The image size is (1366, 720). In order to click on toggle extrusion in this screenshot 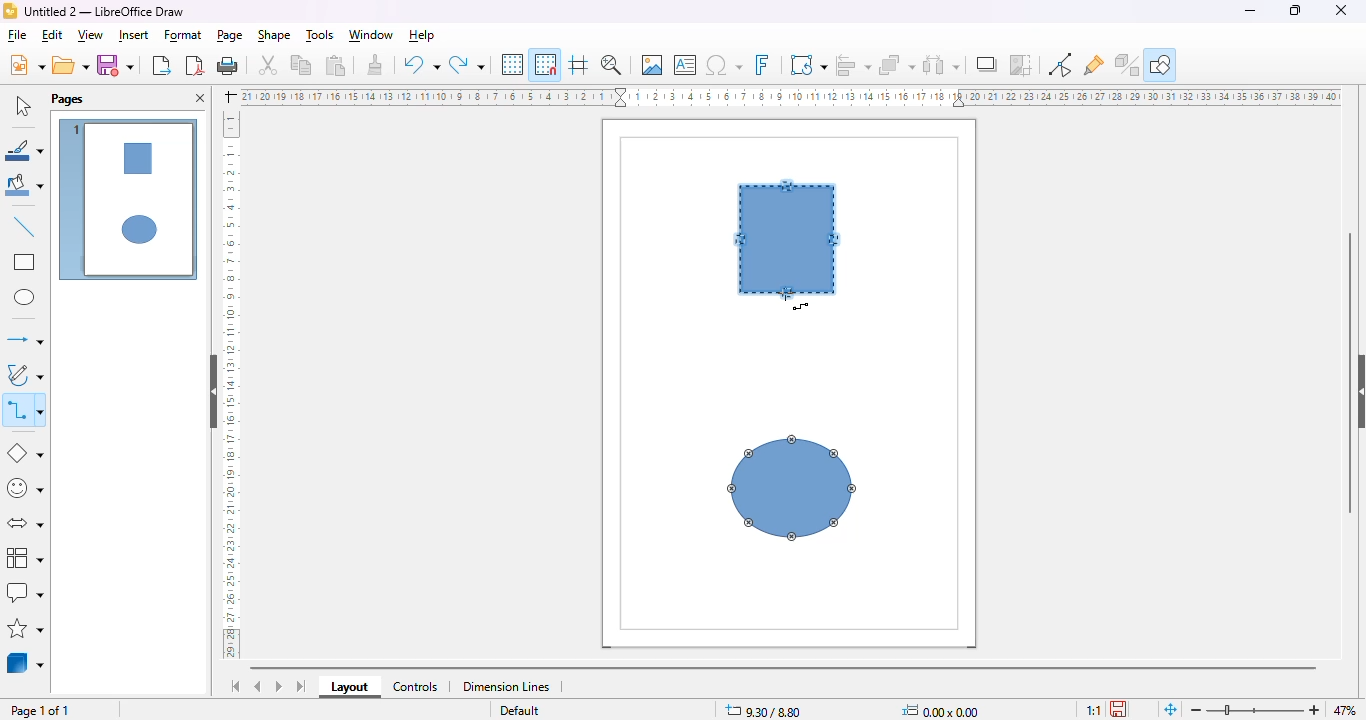, I will do `click(1128, 65)`.